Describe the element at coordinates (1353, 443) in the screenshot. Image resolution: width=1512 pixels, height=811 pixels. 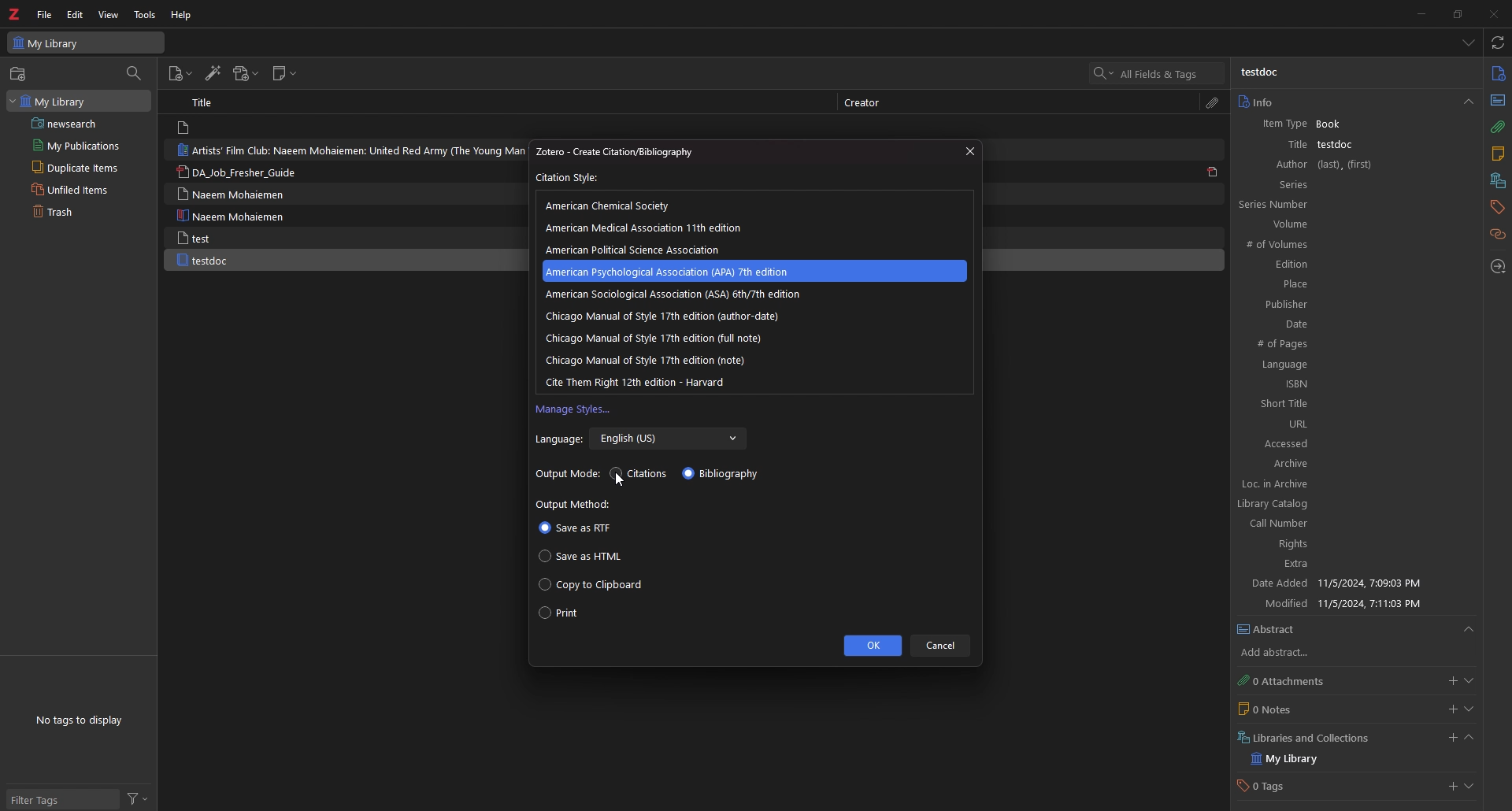
I see `Accessed` at that location.